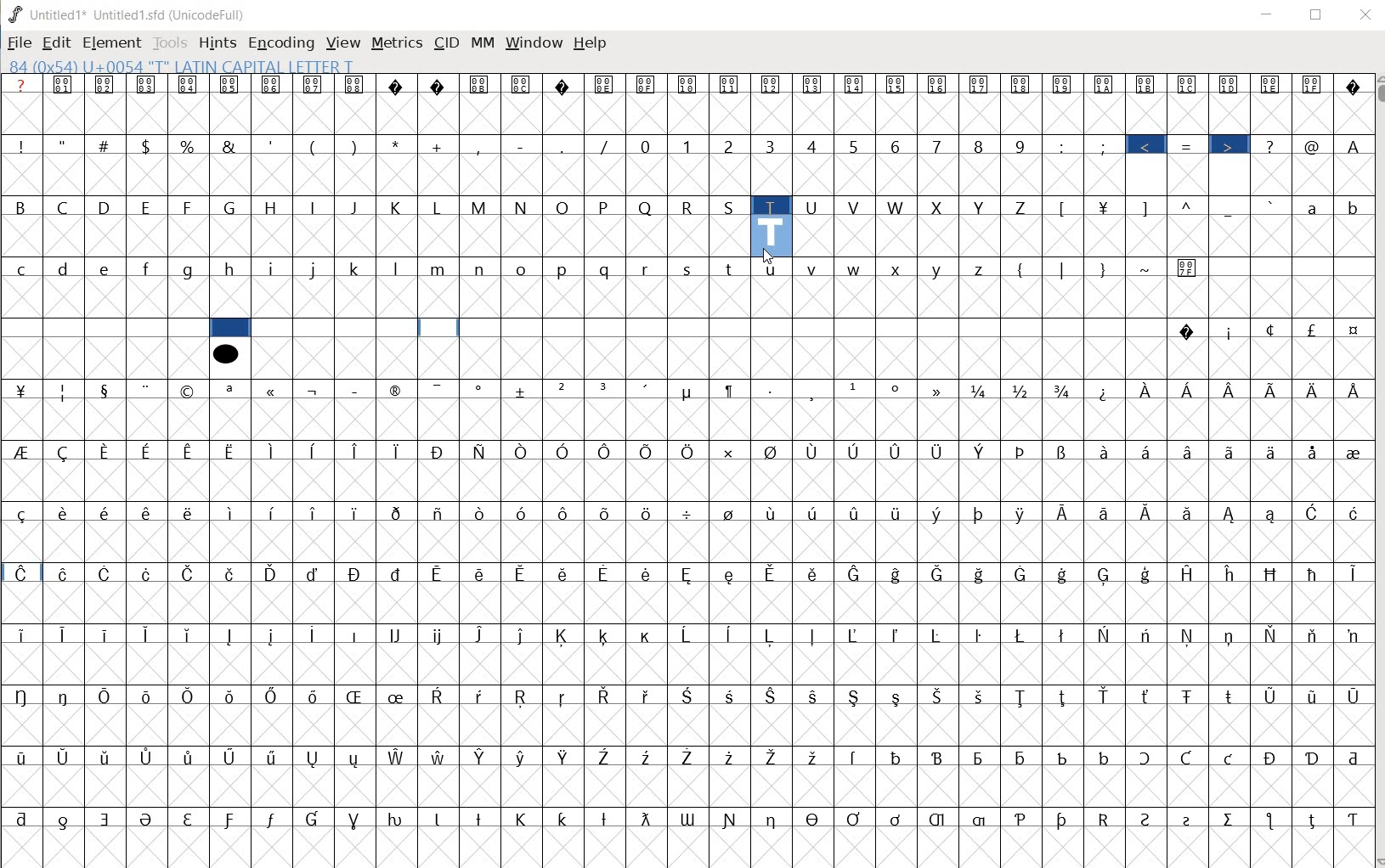 Image resolution: width=1385 pixels, height=868 pixels. I want to click on Symbol, so click(649, 695).